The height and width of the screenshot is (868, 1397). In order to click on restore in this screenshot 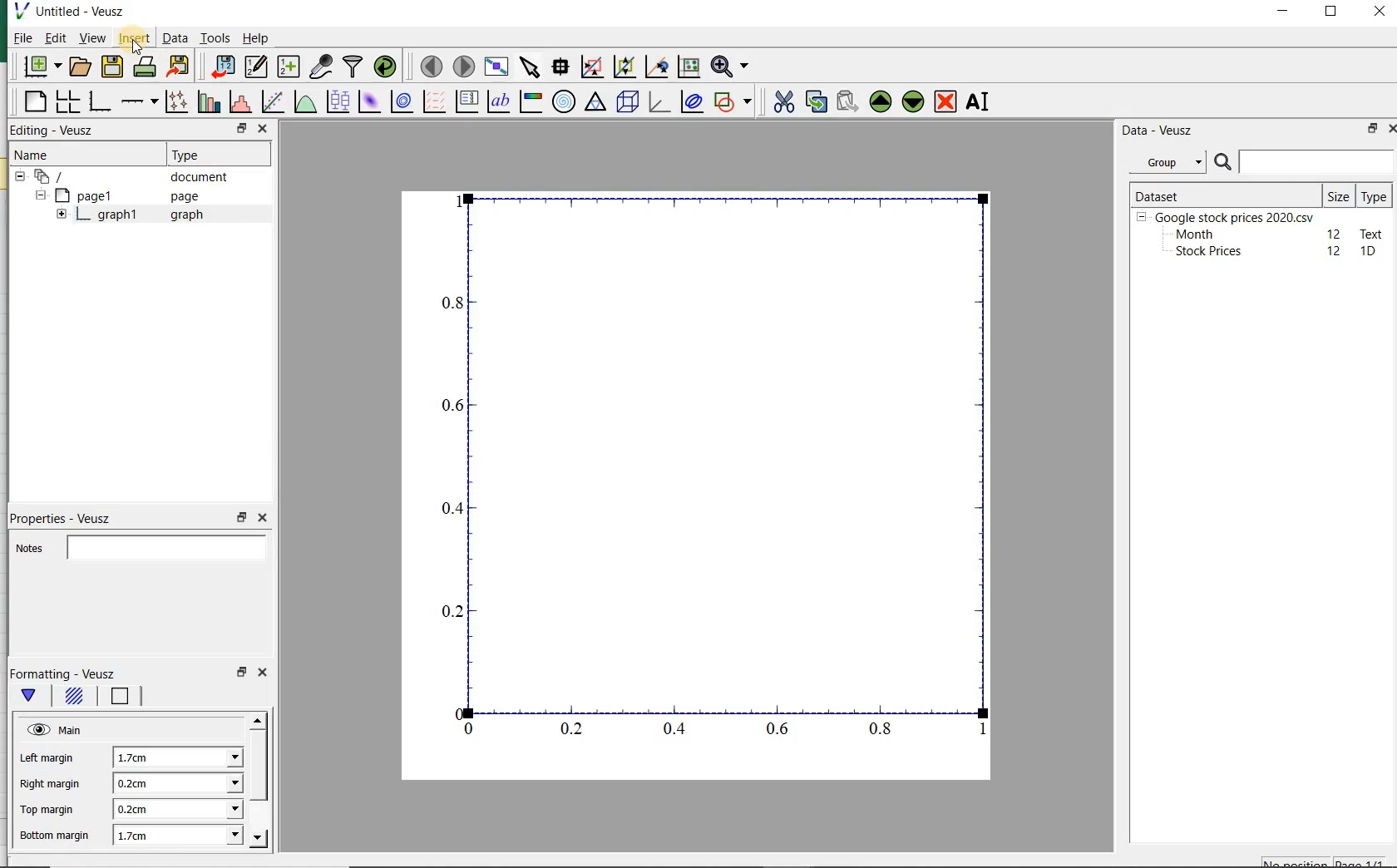, I will do `click(1370, 130)`.